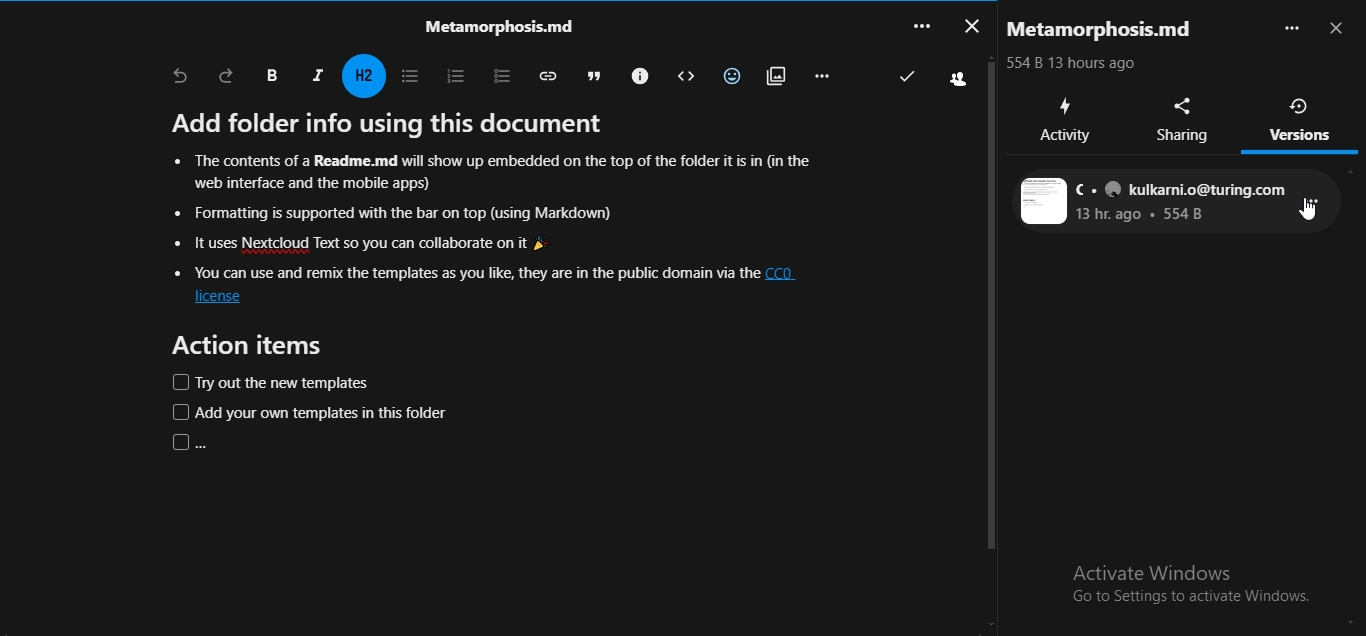 This screenshot has height=636, width=1366. I want to click on close, so click(1339, 30).